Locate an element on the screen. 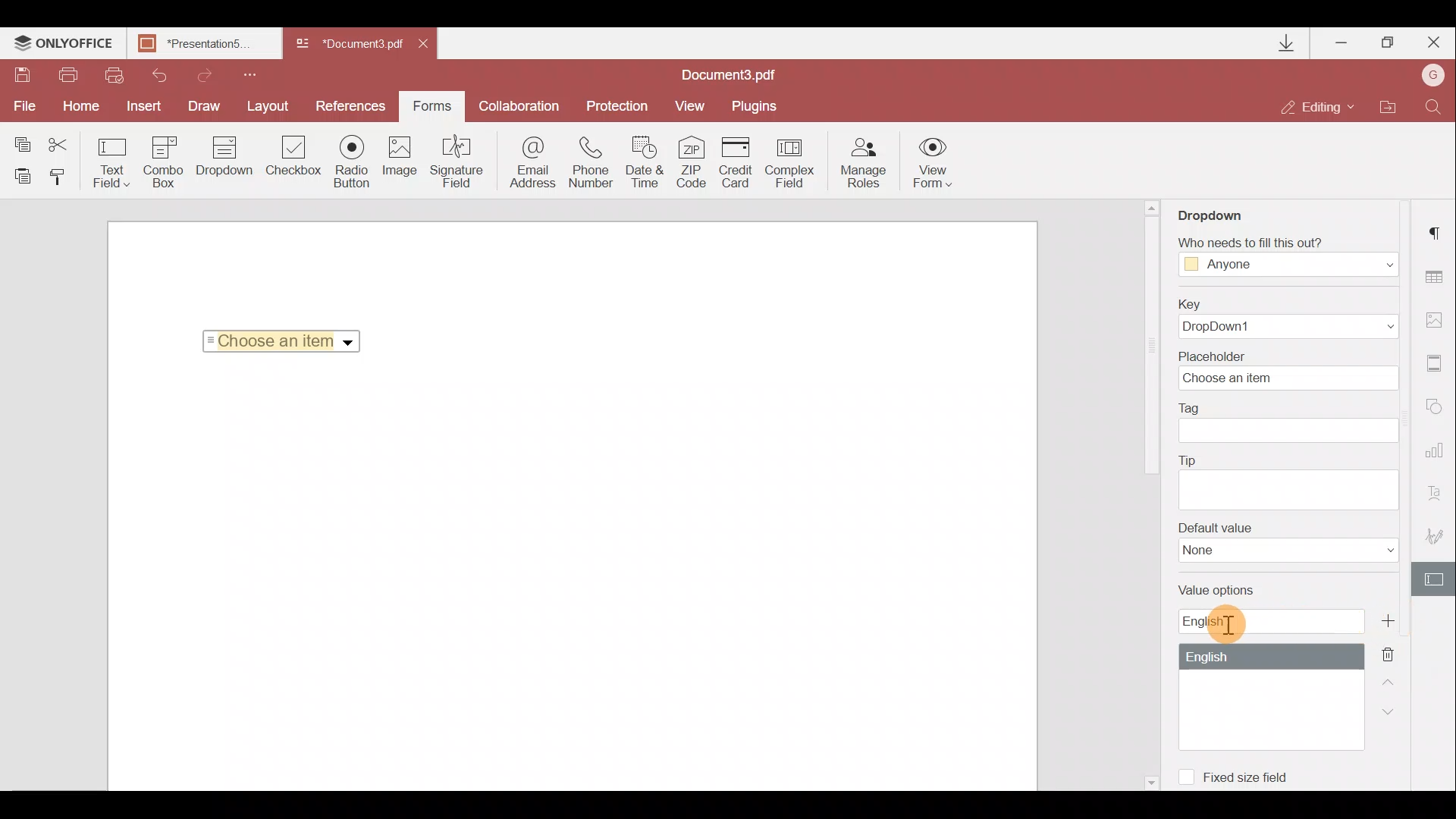 This screenshot has height=819, width=1456. Paragraph settings is located at coordinates (1438, 228).